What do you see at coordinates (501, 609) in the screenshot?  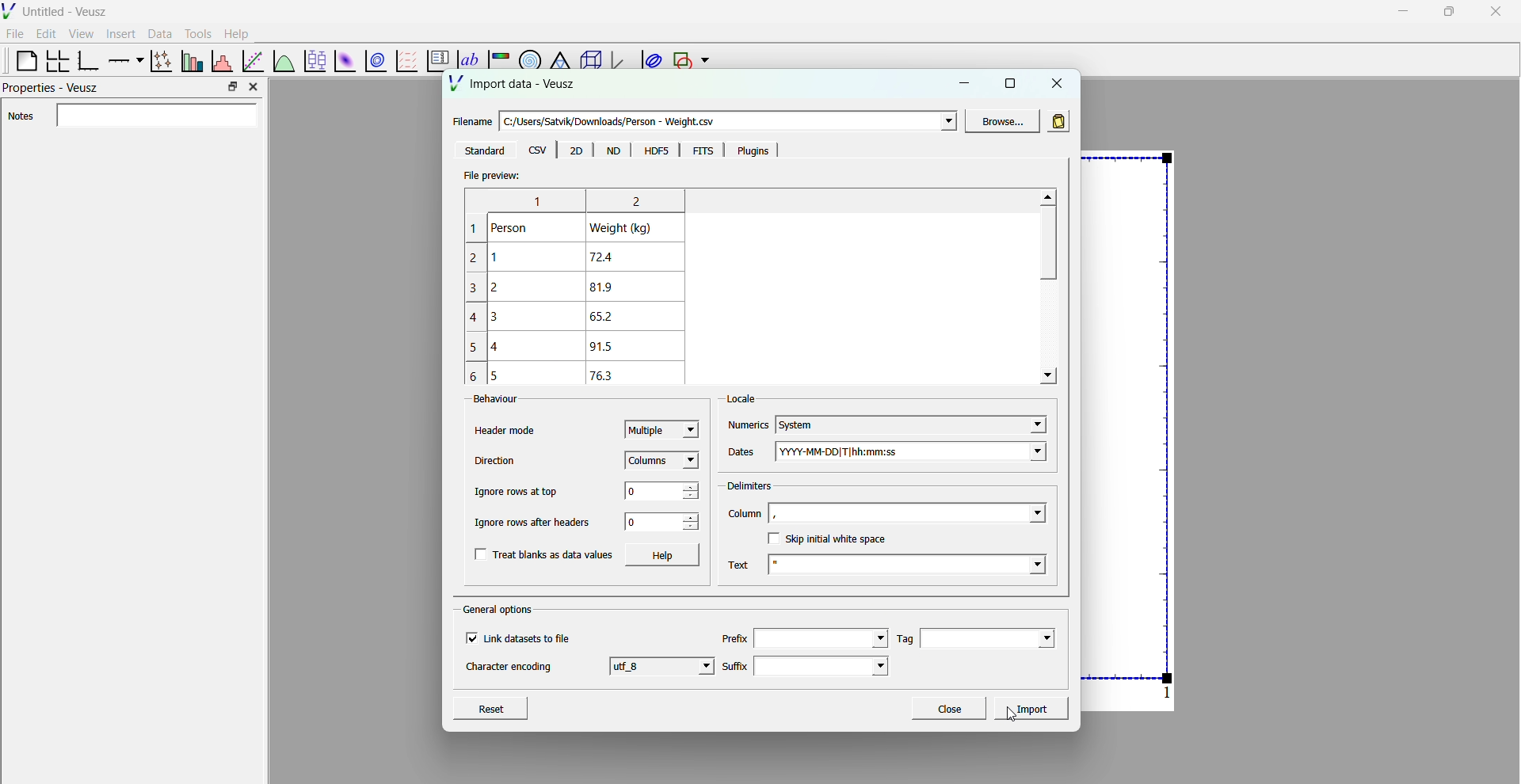 I see `General options` at bounding box center [501, 609].